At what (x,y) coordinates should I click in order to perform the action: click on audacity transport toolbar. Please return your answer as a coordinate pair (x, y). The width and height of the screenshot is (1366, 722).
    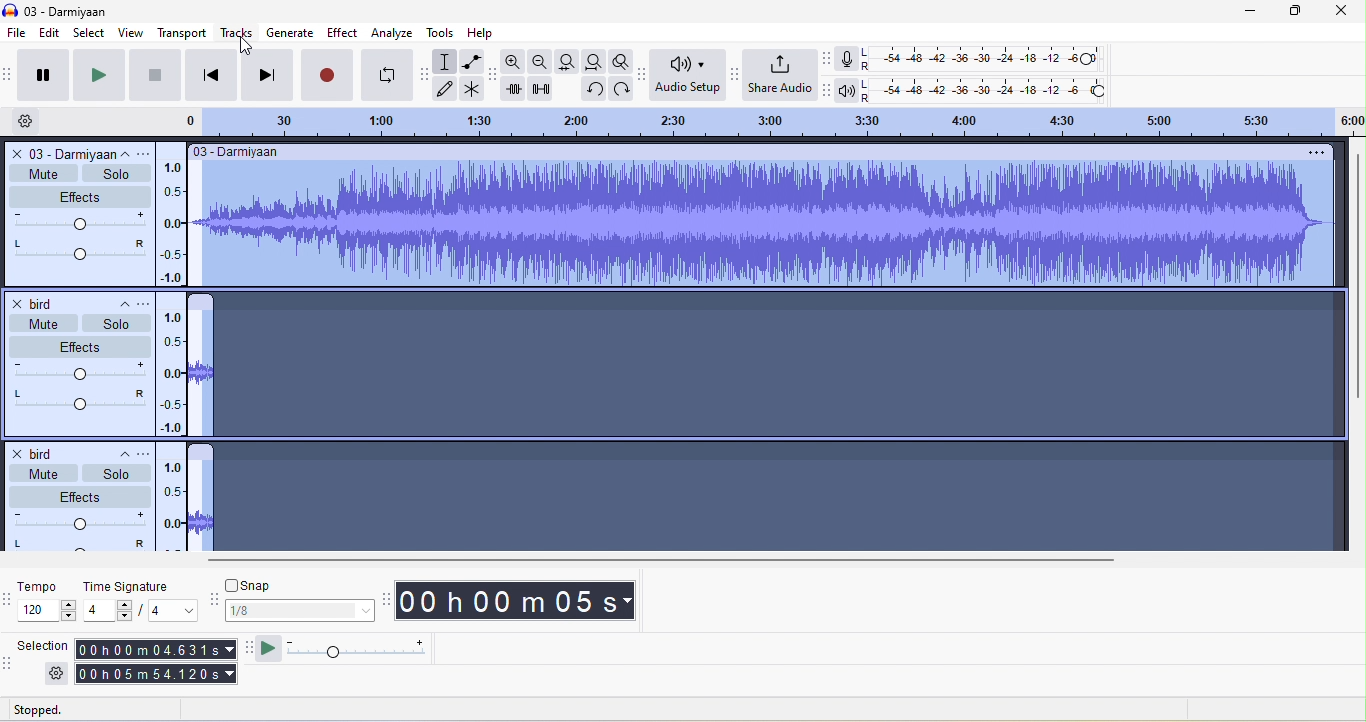
    Looking at the image, I should click on (9, 74).